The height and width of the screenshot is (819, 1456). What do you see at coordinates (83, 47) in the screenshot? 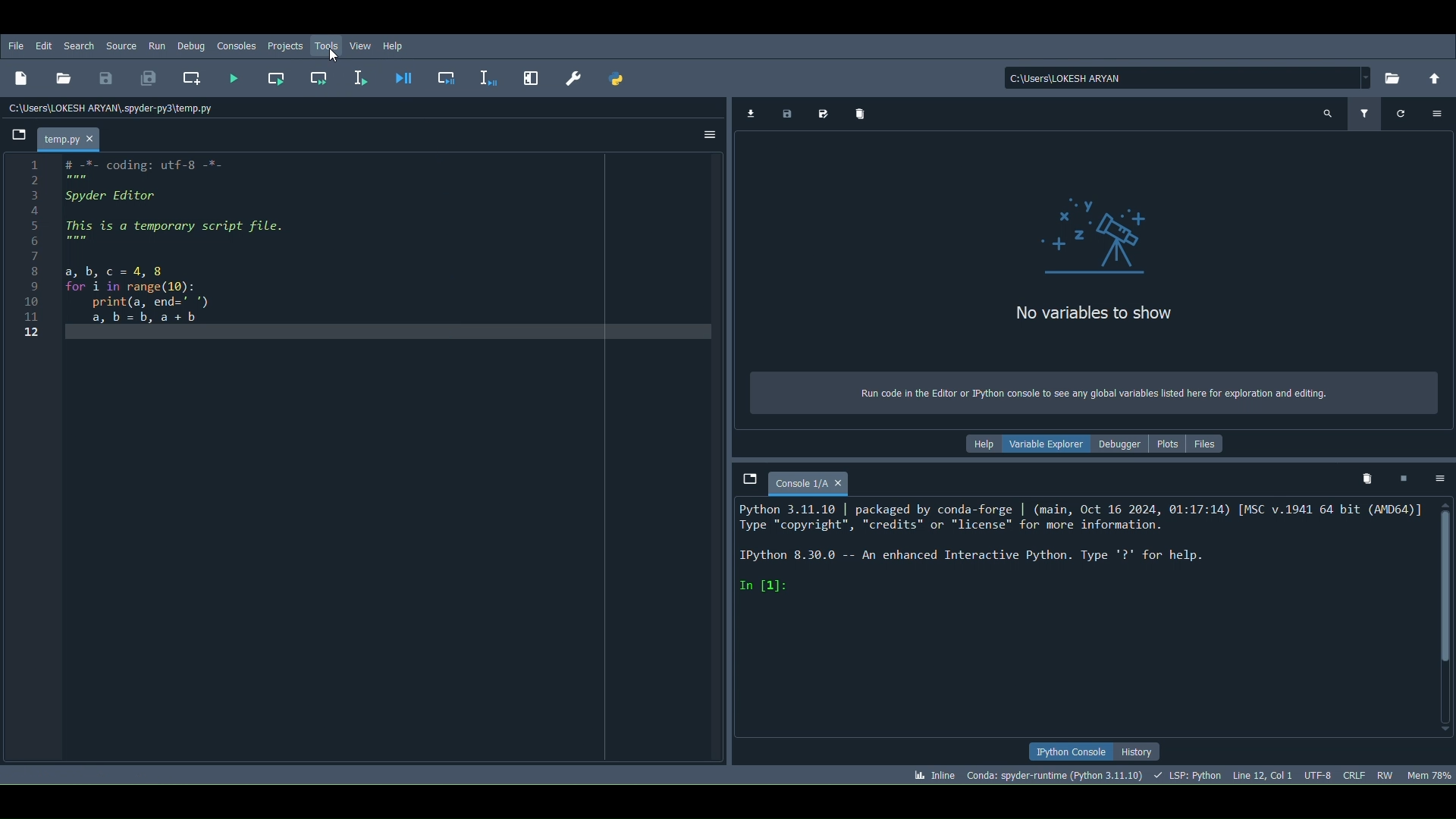
I see `Search` at bounding box center [83, 47].